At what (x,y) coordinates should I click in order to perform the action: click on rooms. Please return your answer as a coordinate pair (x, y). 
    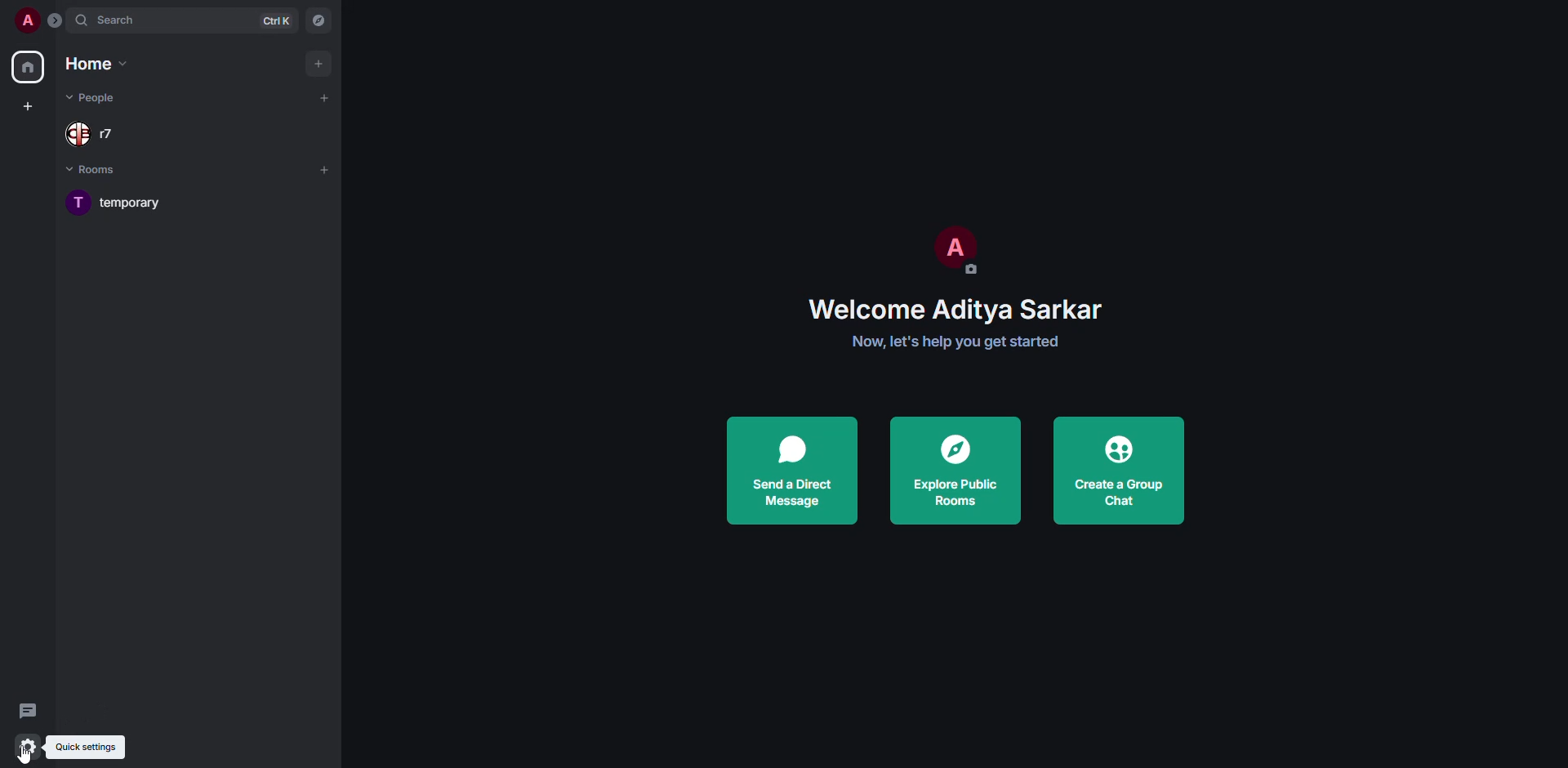
    Looking at the image, I should click on (98, 172).